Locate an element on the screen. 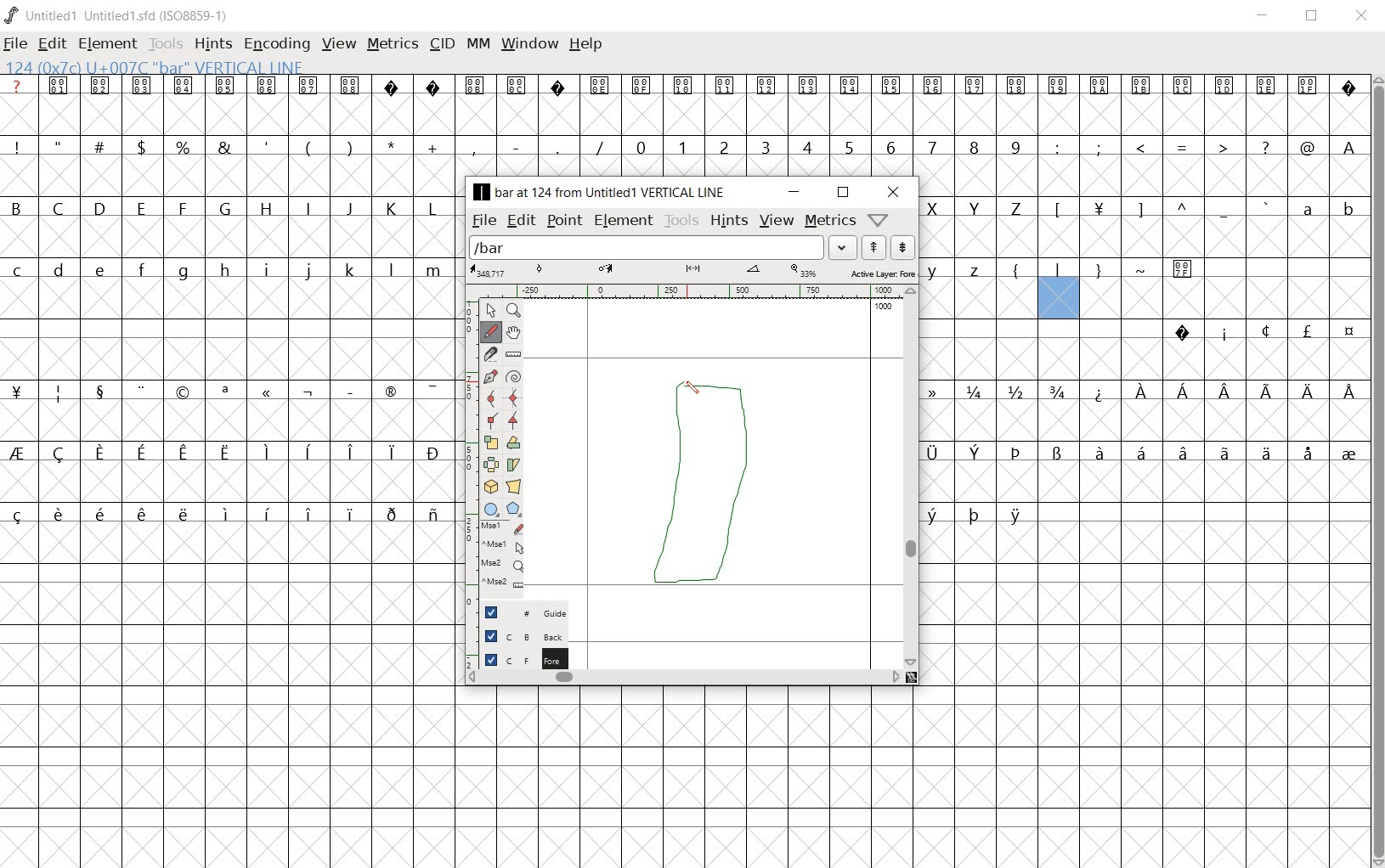 This screenshot has height=868, width=1385. skew the selection is located at coordinates (514, 465).